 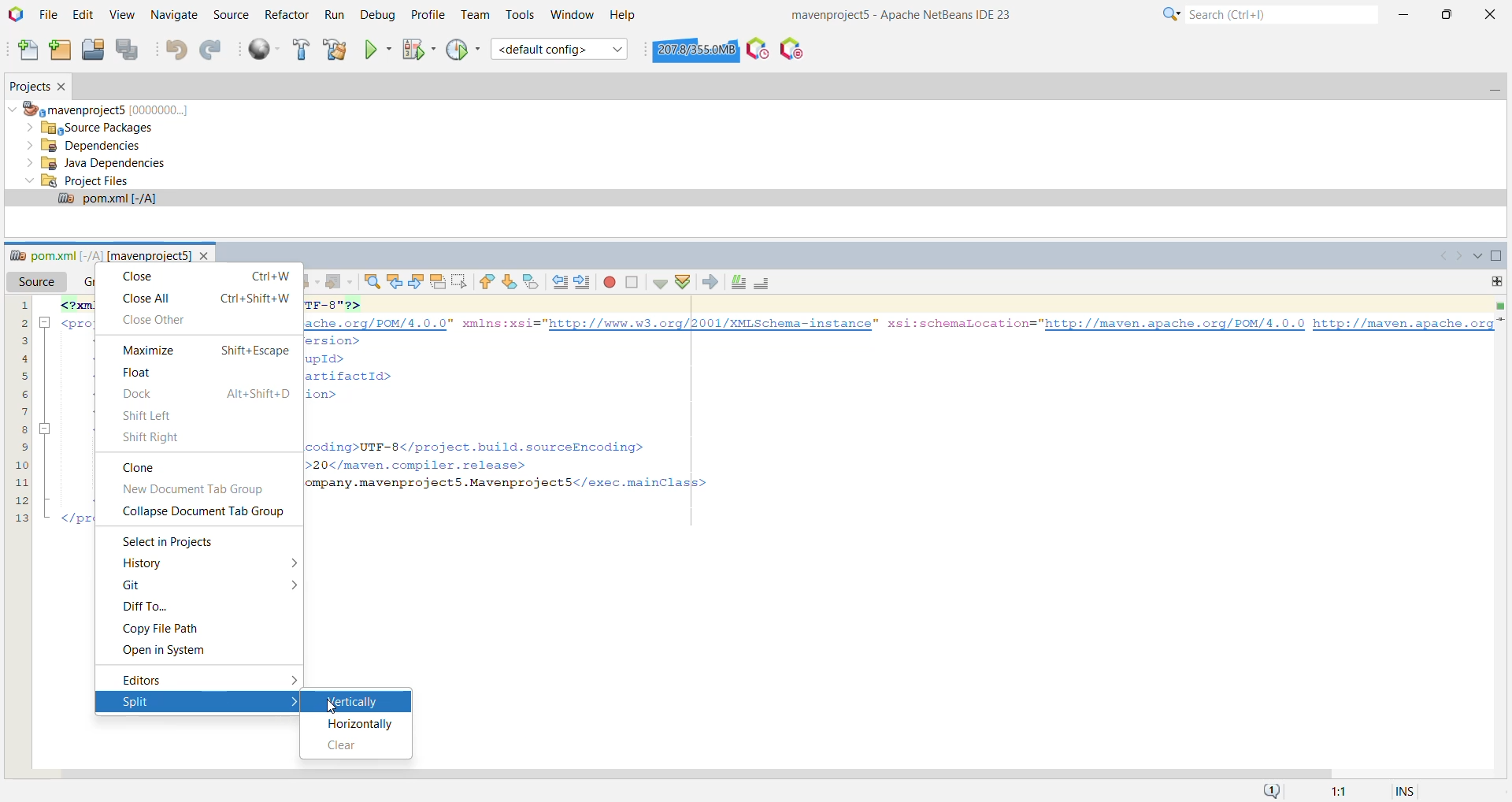 What do you see at coordinates (175, 16) in the screenshot?
I see `Navigate` at bounding box center [175, 16].